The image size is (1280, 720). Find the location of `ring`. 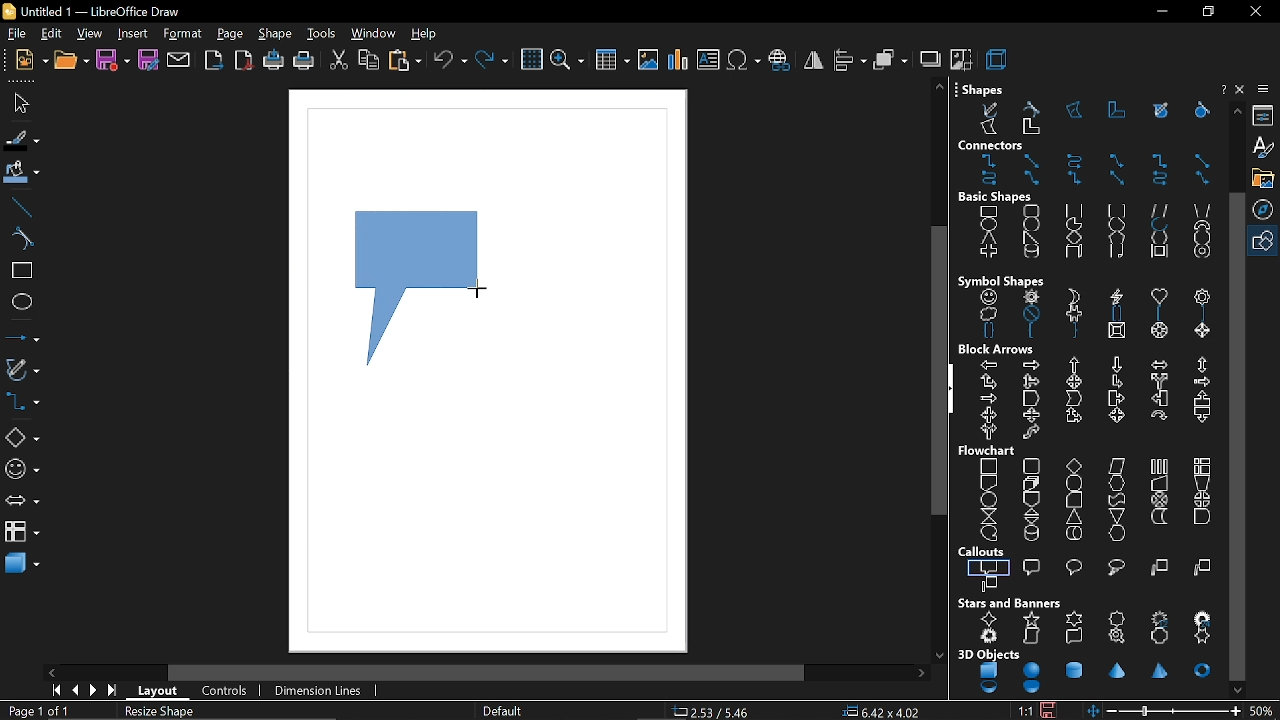

ring is located at coordinates (1202, 254).